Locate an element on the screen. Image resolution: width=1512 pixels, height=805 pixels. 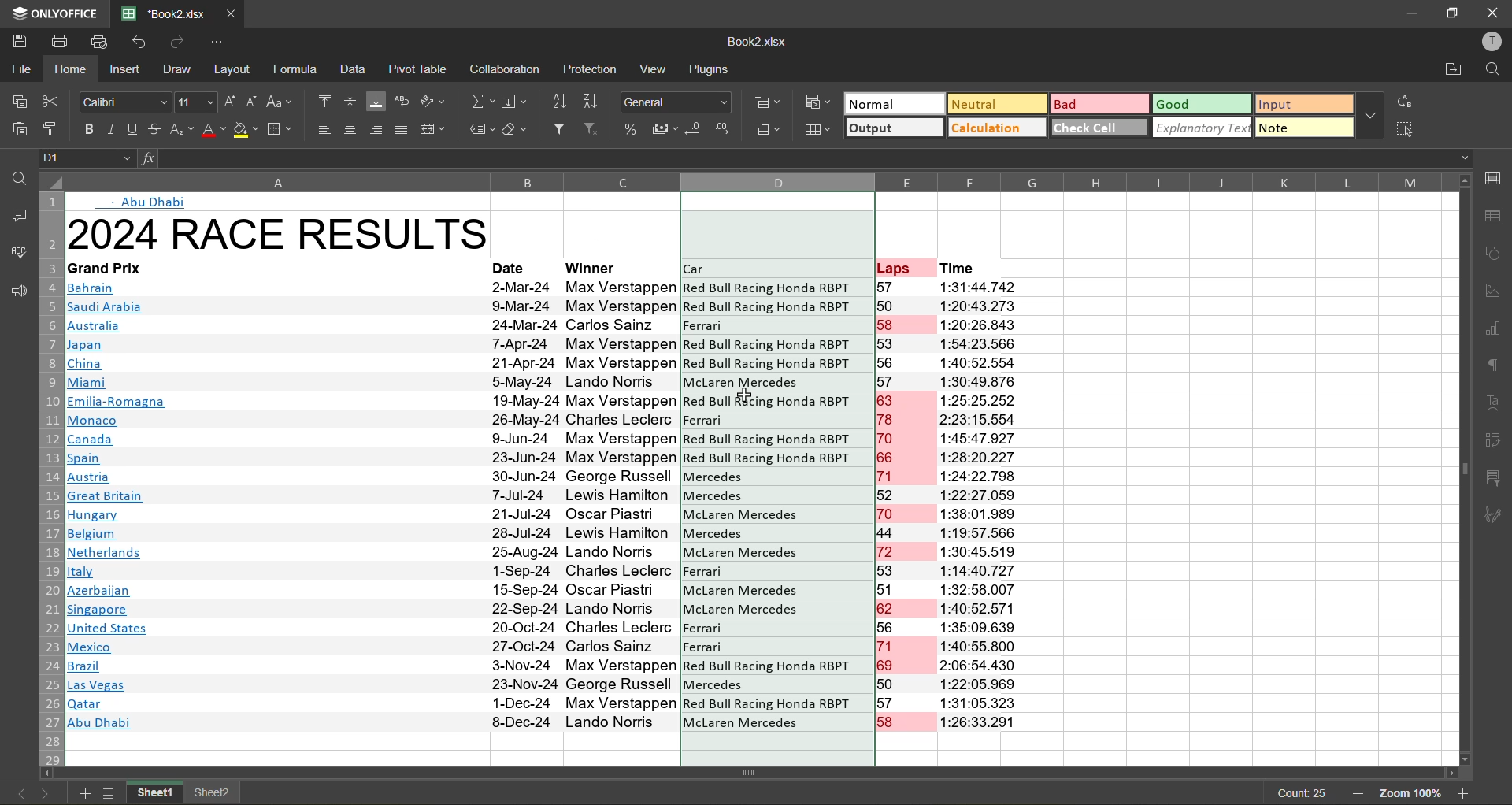
filter is located at coordinates (558, 129).